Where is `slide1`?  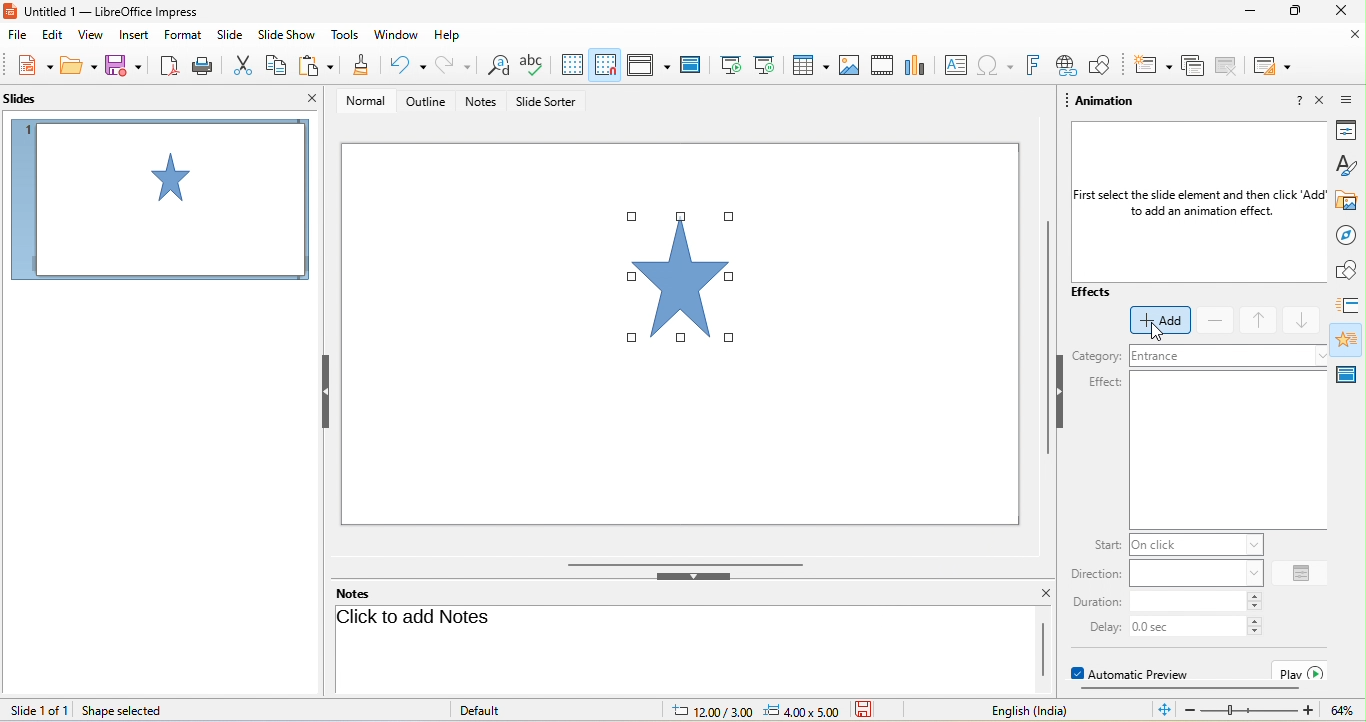 slide1 is located at coordinates (159, 203).